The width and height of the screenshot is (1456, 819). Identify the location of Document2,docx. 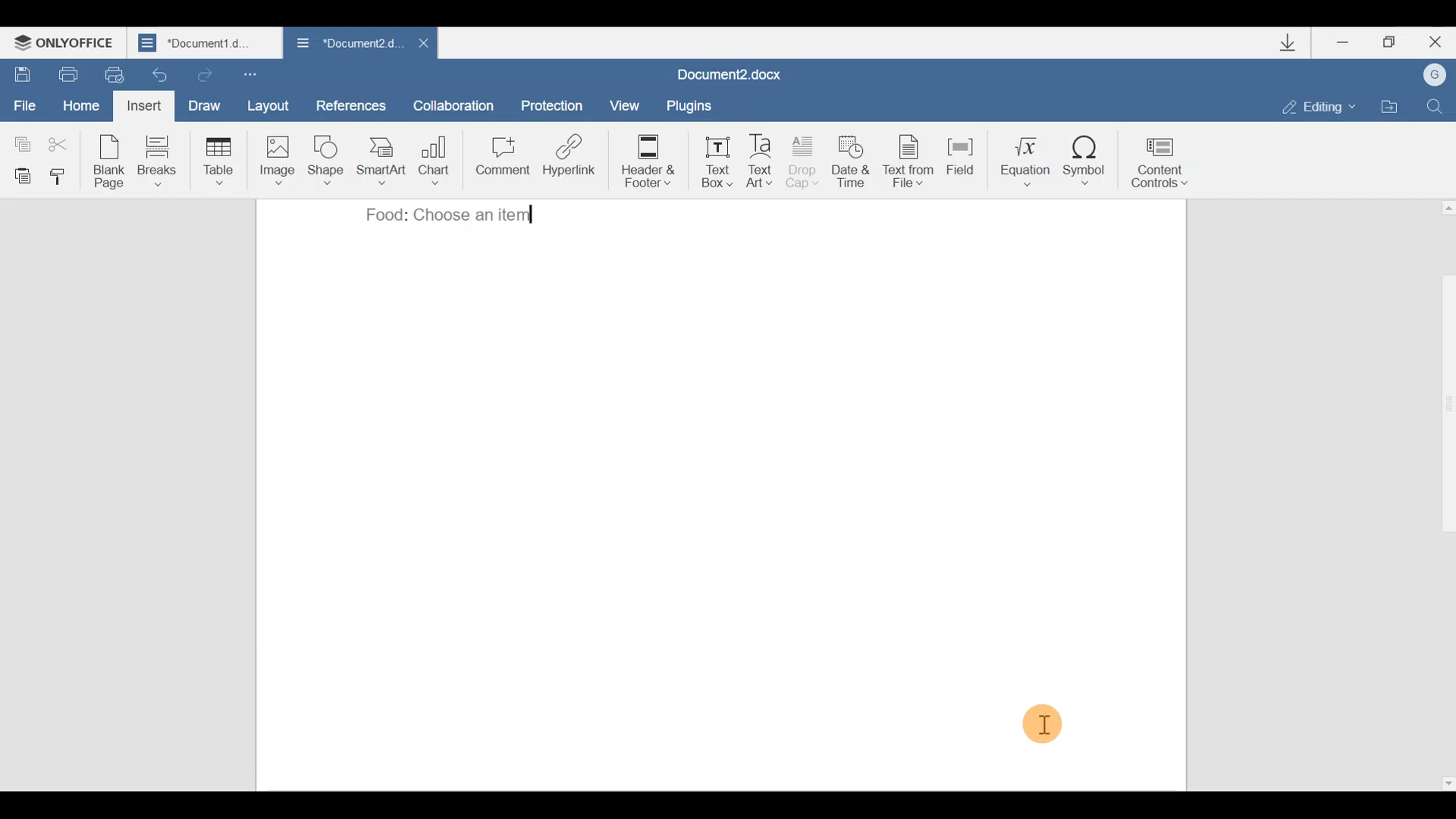
(742, 71).